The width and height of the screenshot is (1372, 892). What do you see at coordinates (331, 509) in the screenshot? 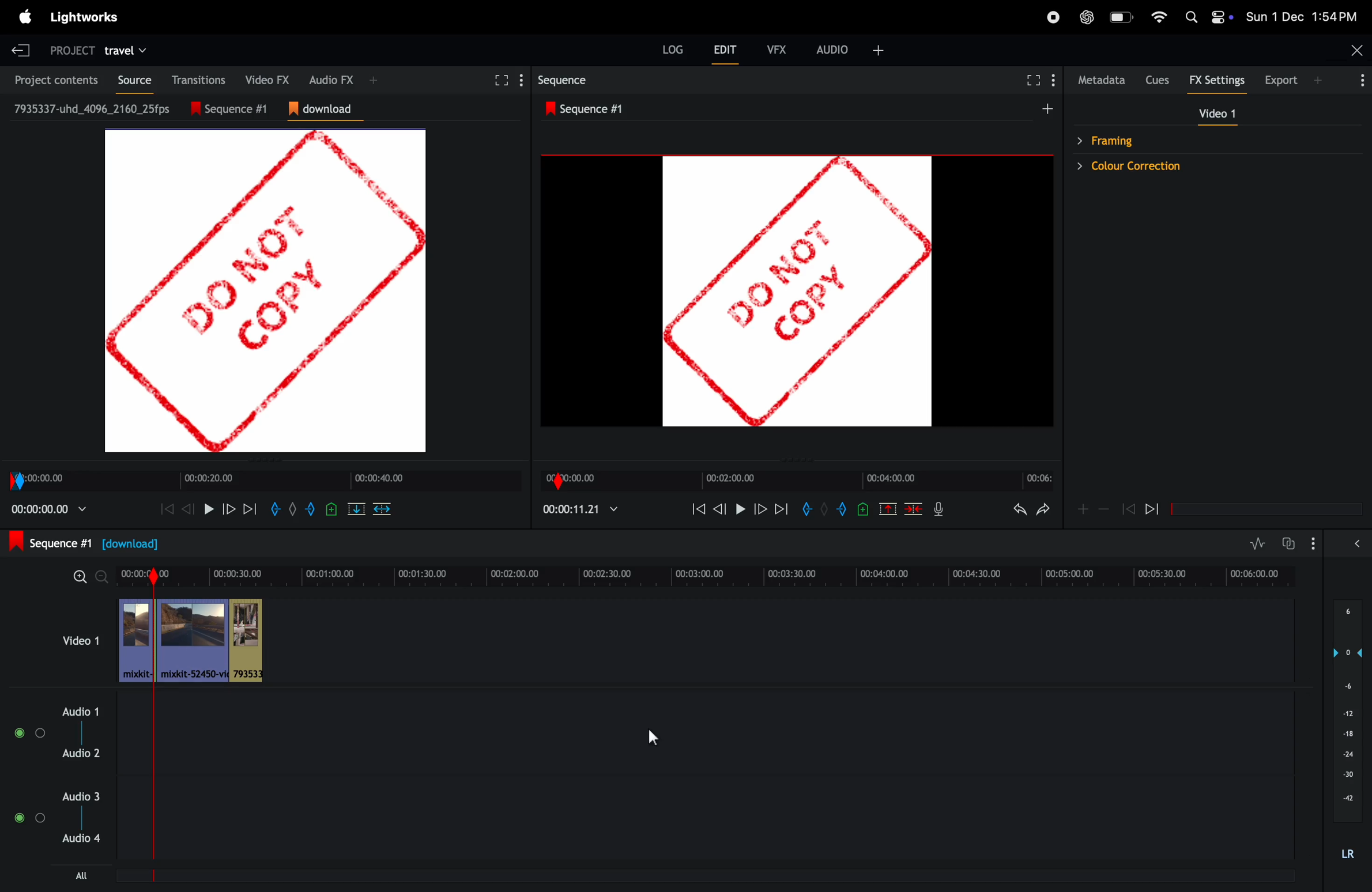
I see `add to current position` at bounding box center [331, 509].